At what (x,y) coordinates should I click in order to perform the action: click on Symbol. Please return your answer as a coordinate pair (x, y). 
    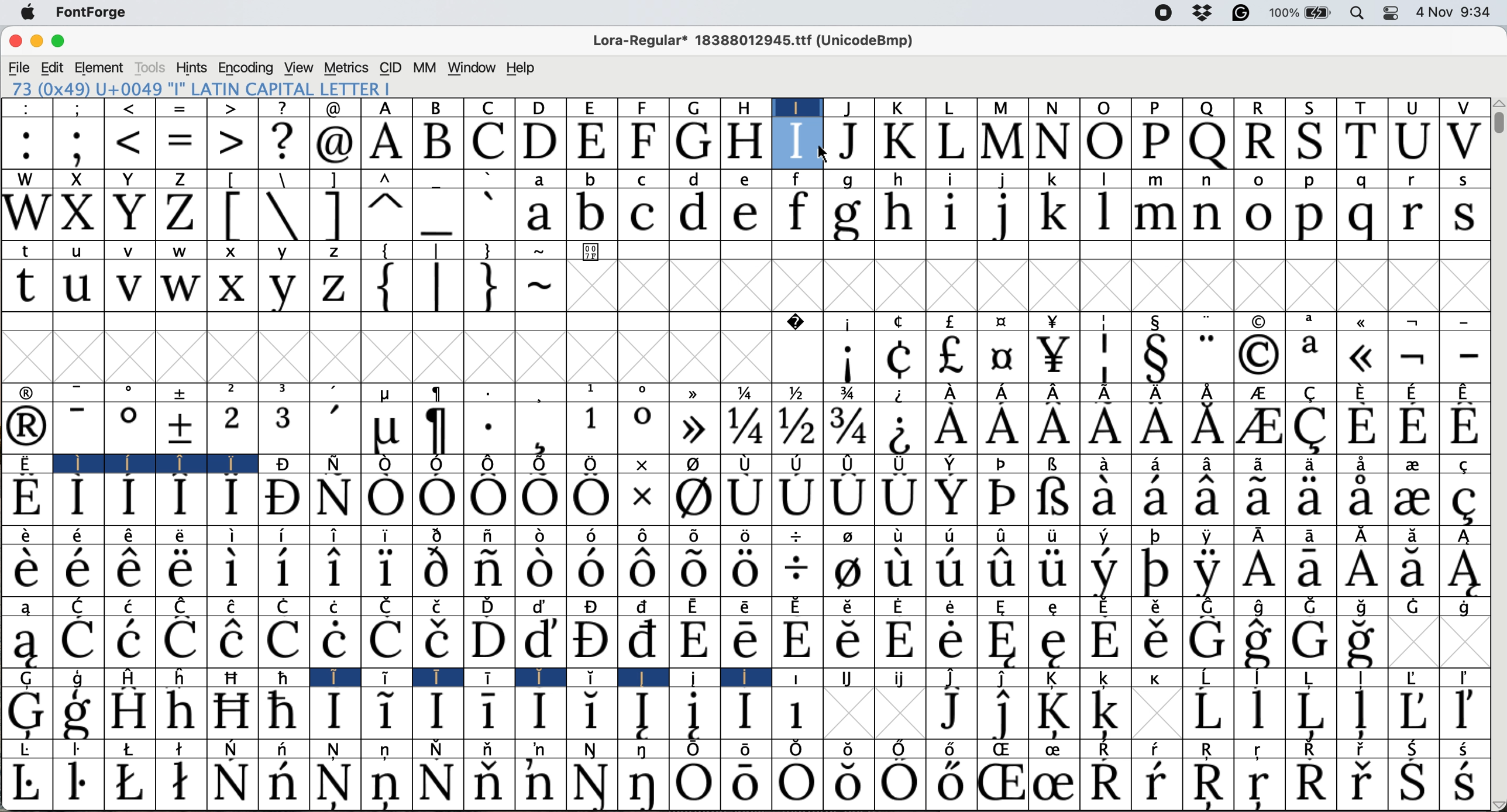
    Looking at the image, I should click on (1260, 428).